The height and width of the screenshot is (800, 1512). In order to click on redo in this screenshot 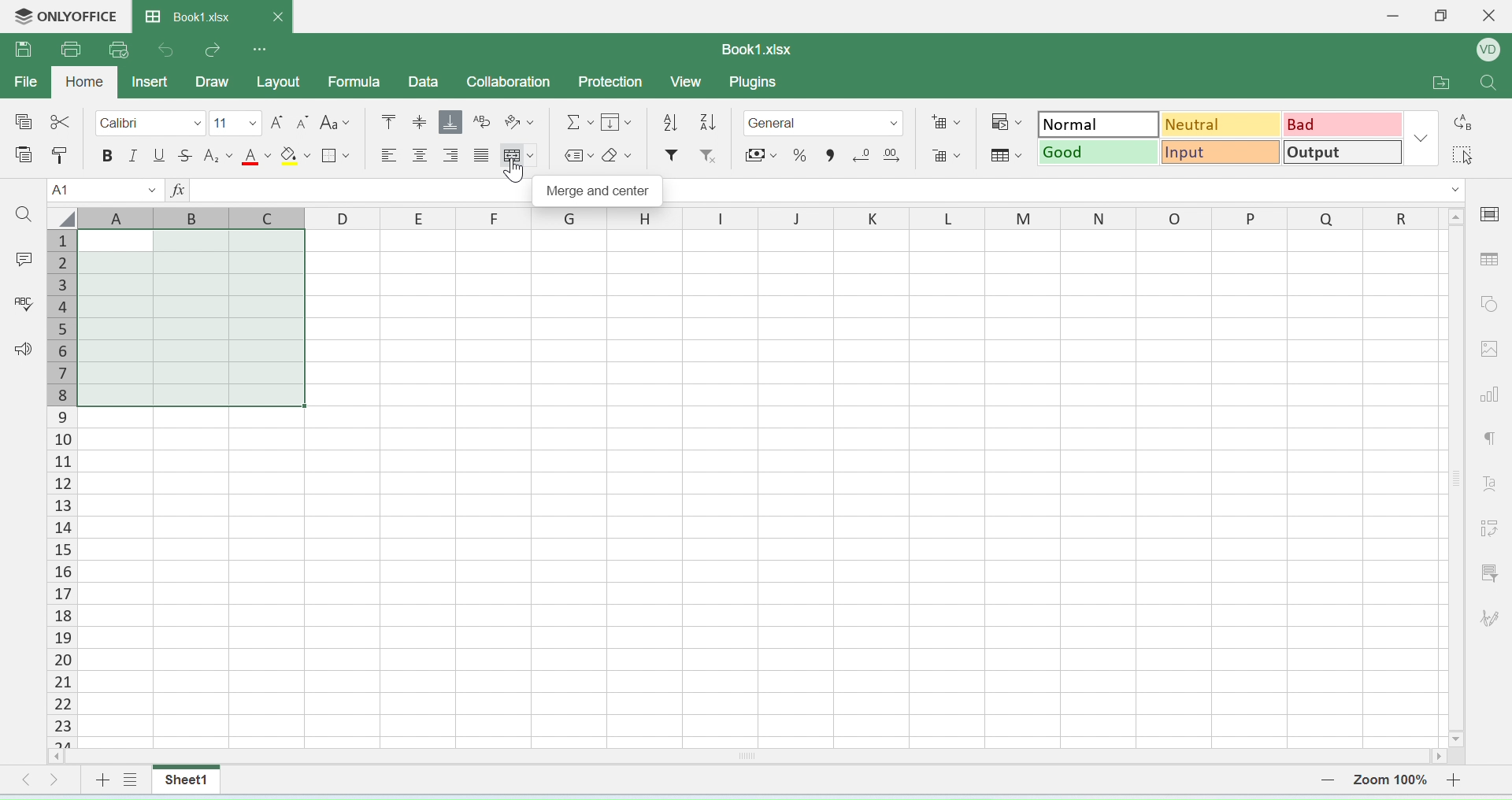, I will do `click(213, 50)`.